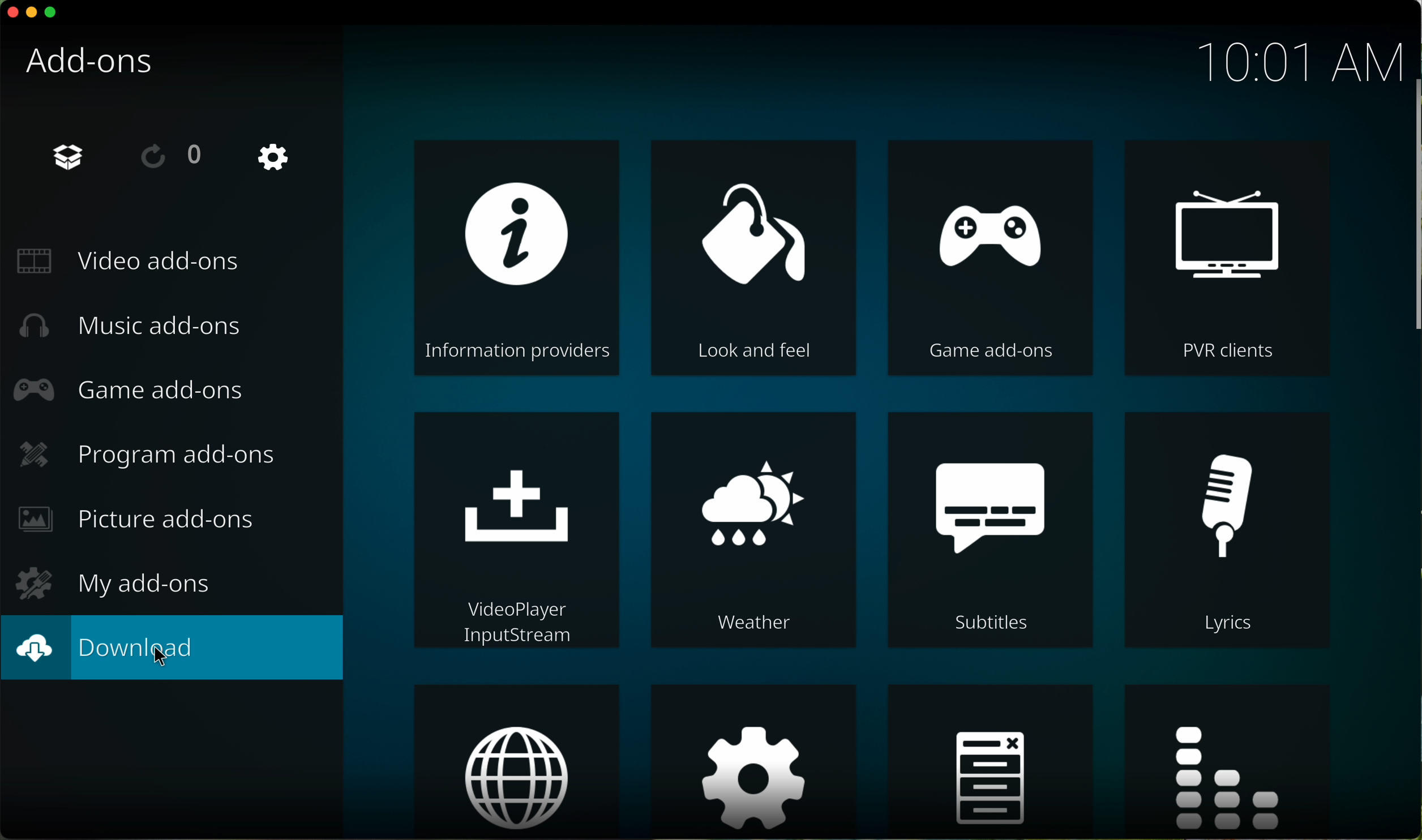 The width and height of the screenshot is (1422, 840). I want to click on browser, so click(515, 761).